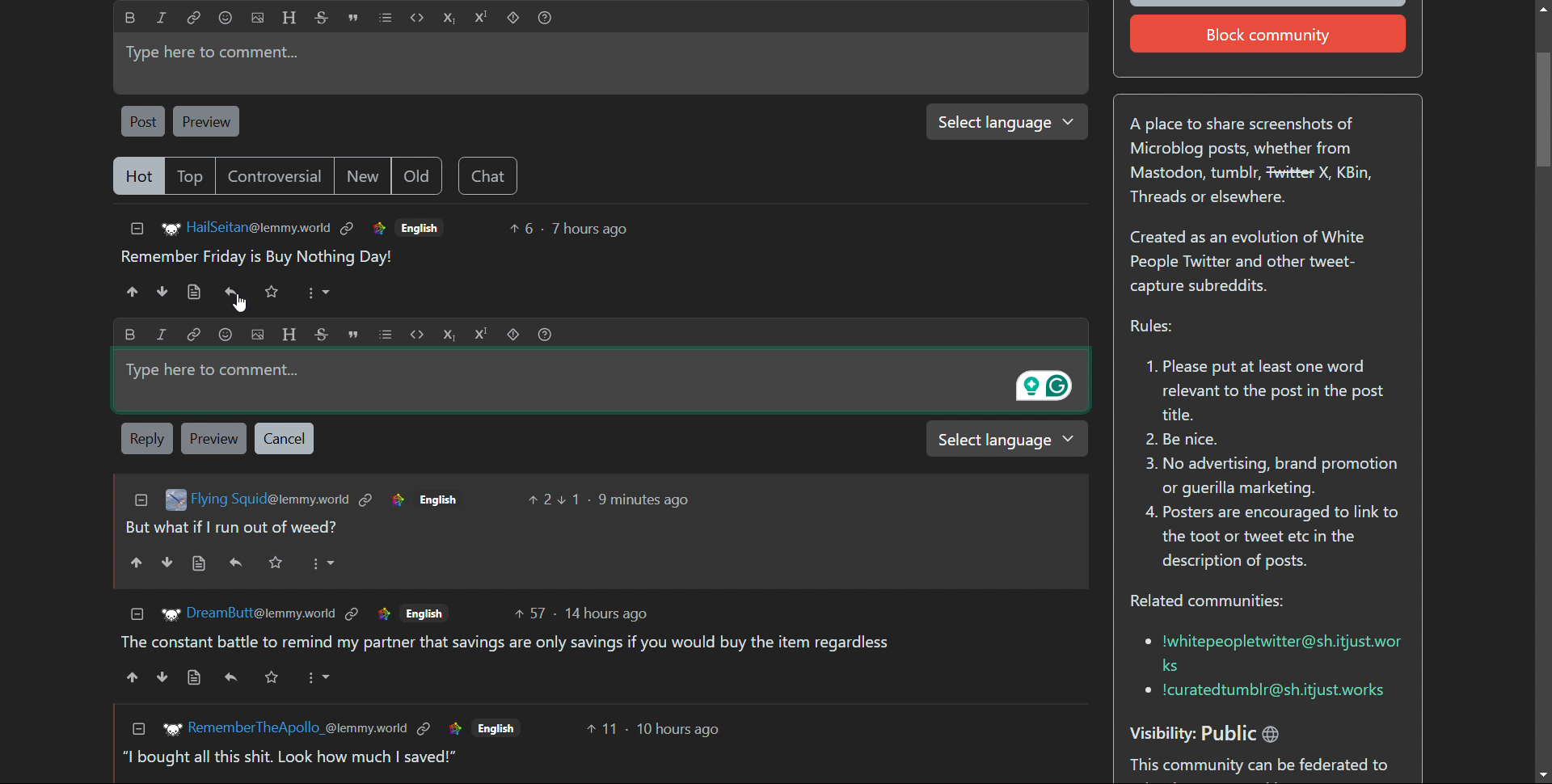 Image resolution: width=1552 pixels, height=784 pixels. I want to click on superscript, so click(482, 17).